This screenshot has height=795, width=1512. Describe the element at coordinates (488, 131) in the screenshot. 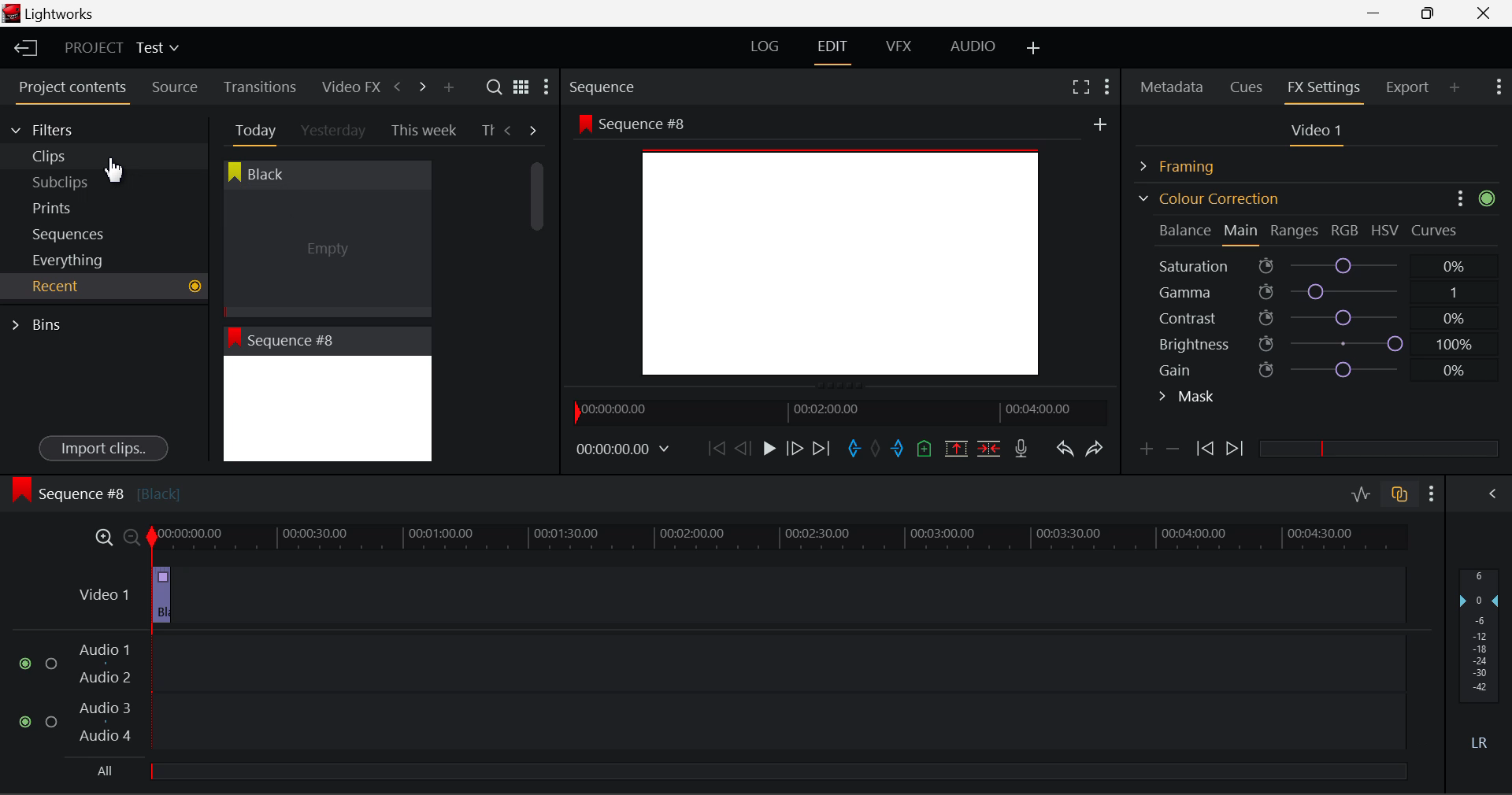

I see `Th` at that location.